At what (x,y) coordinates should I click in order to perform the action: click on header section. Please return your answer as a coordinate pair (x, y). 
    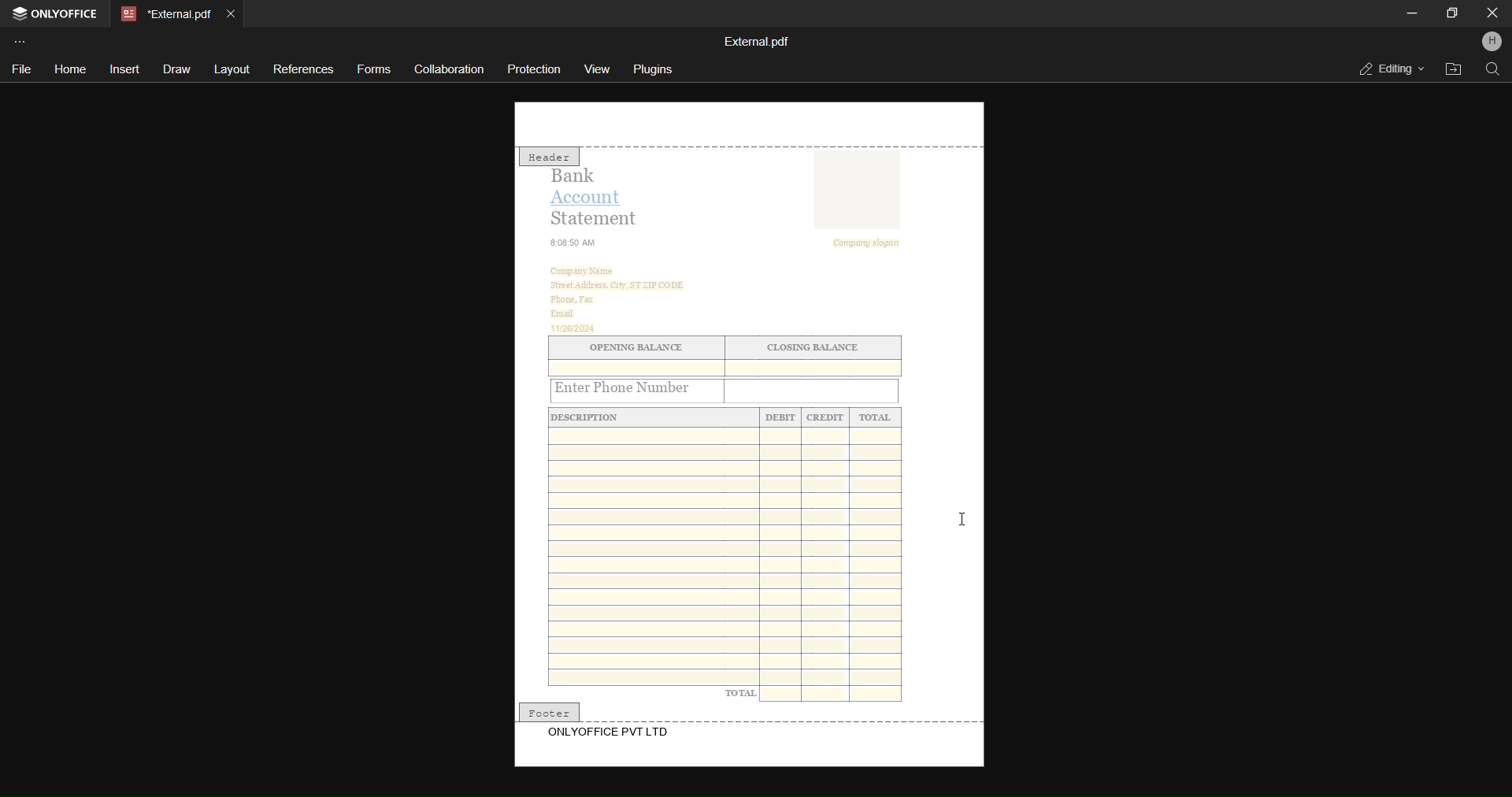
    Looking at the image, I should click on (748, 123).